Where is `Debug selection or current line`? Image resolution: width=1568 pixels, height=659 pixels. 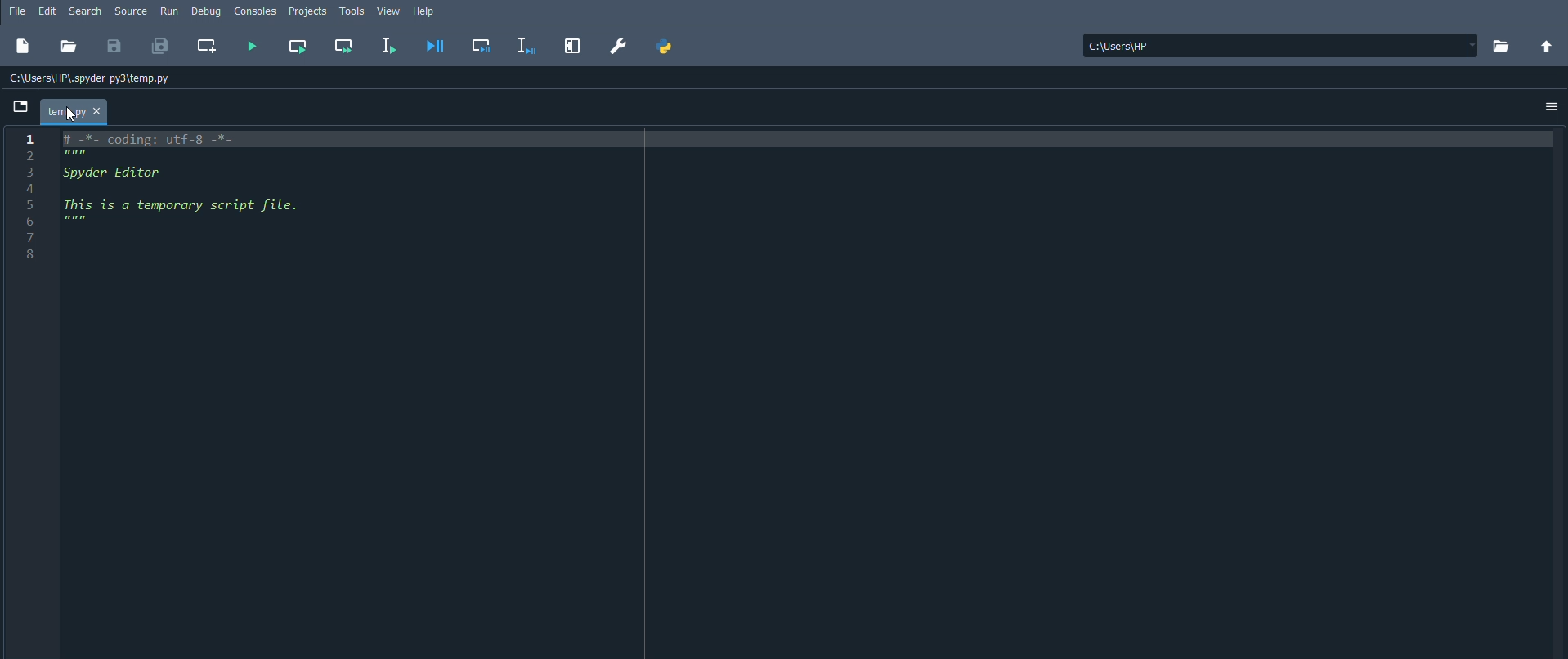 Debug selection or current line is located at coordinates (528, 45).